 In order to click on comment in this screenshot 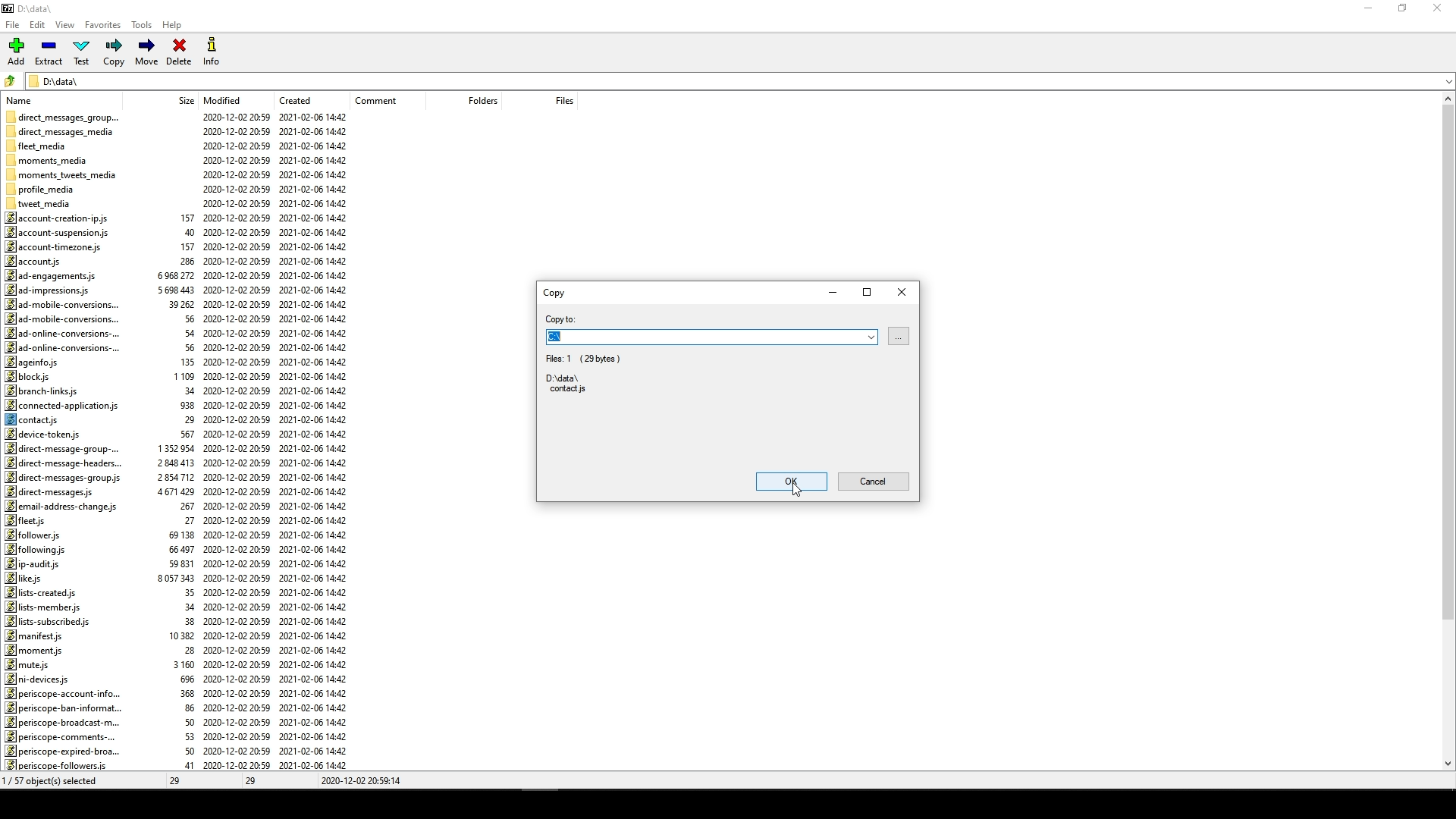, I will do `click(381, 100)`.